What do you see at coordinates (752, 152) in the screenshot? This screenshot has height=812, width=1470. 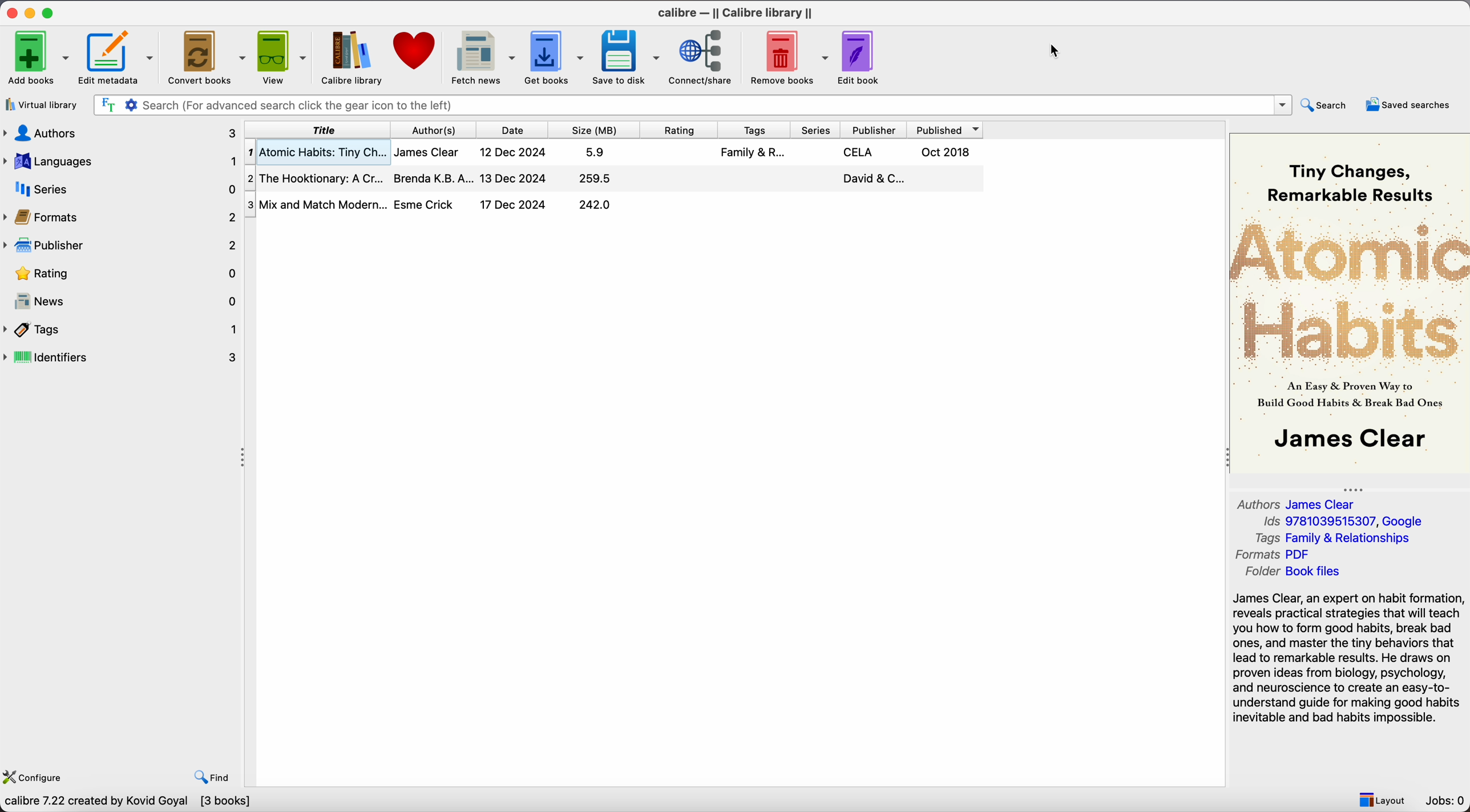 I see `Family & R...` at bounding box center [752, 152].